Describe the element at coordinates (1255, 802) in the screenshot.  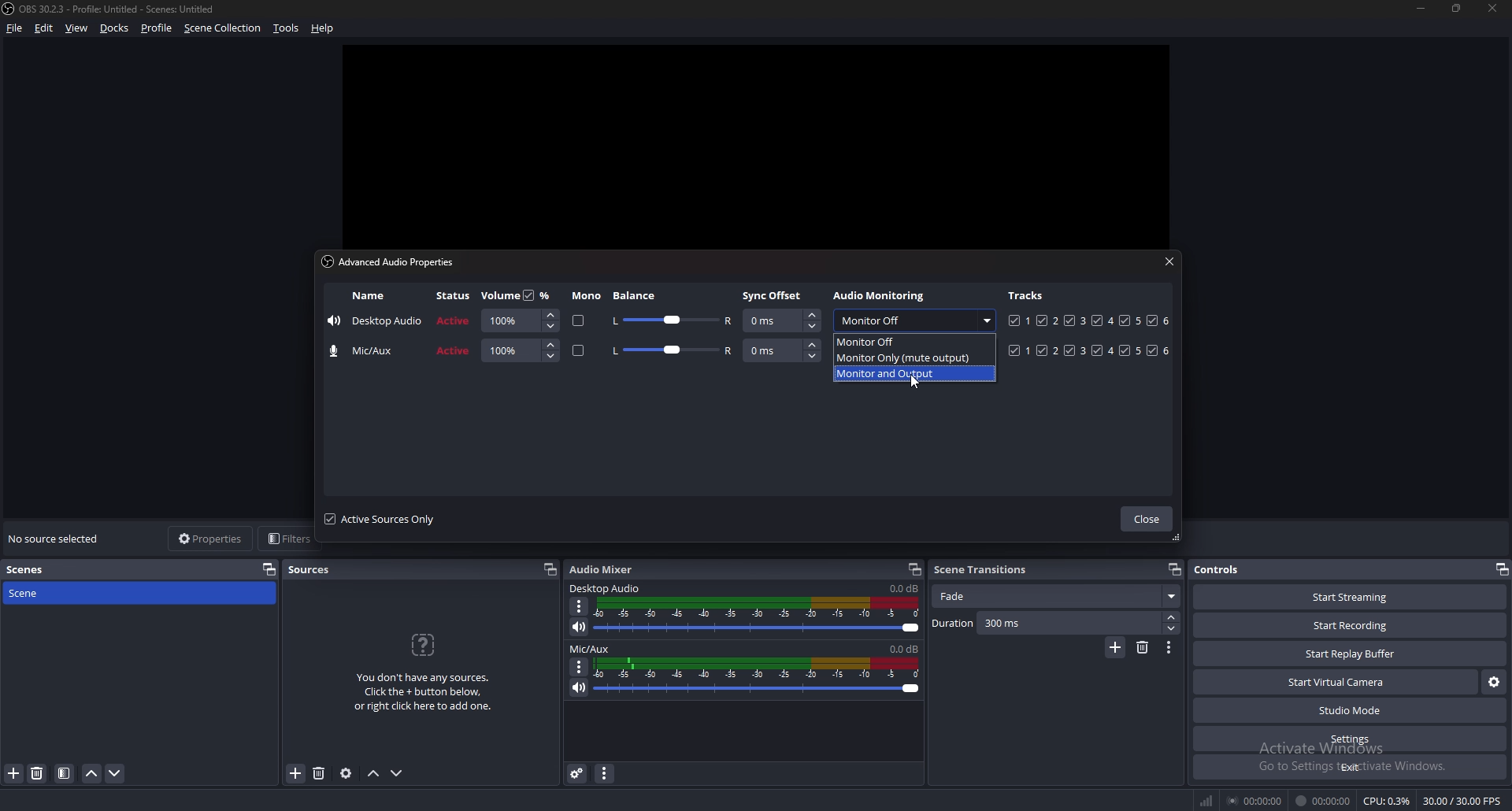
I see `00:00:00` at that location.